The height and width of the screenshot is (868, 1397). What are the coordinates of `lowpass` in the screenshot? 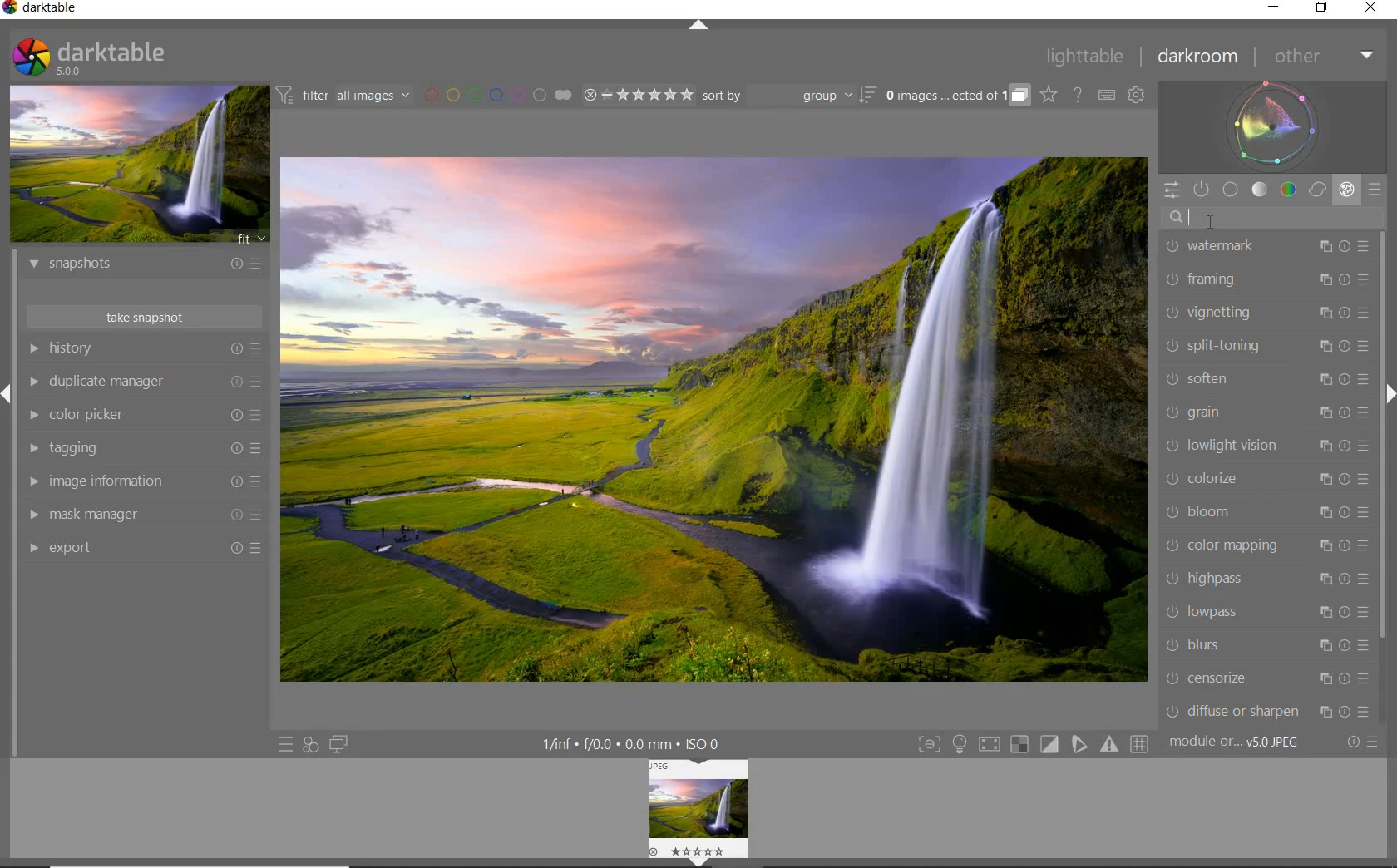 It's located at (1266, 614).